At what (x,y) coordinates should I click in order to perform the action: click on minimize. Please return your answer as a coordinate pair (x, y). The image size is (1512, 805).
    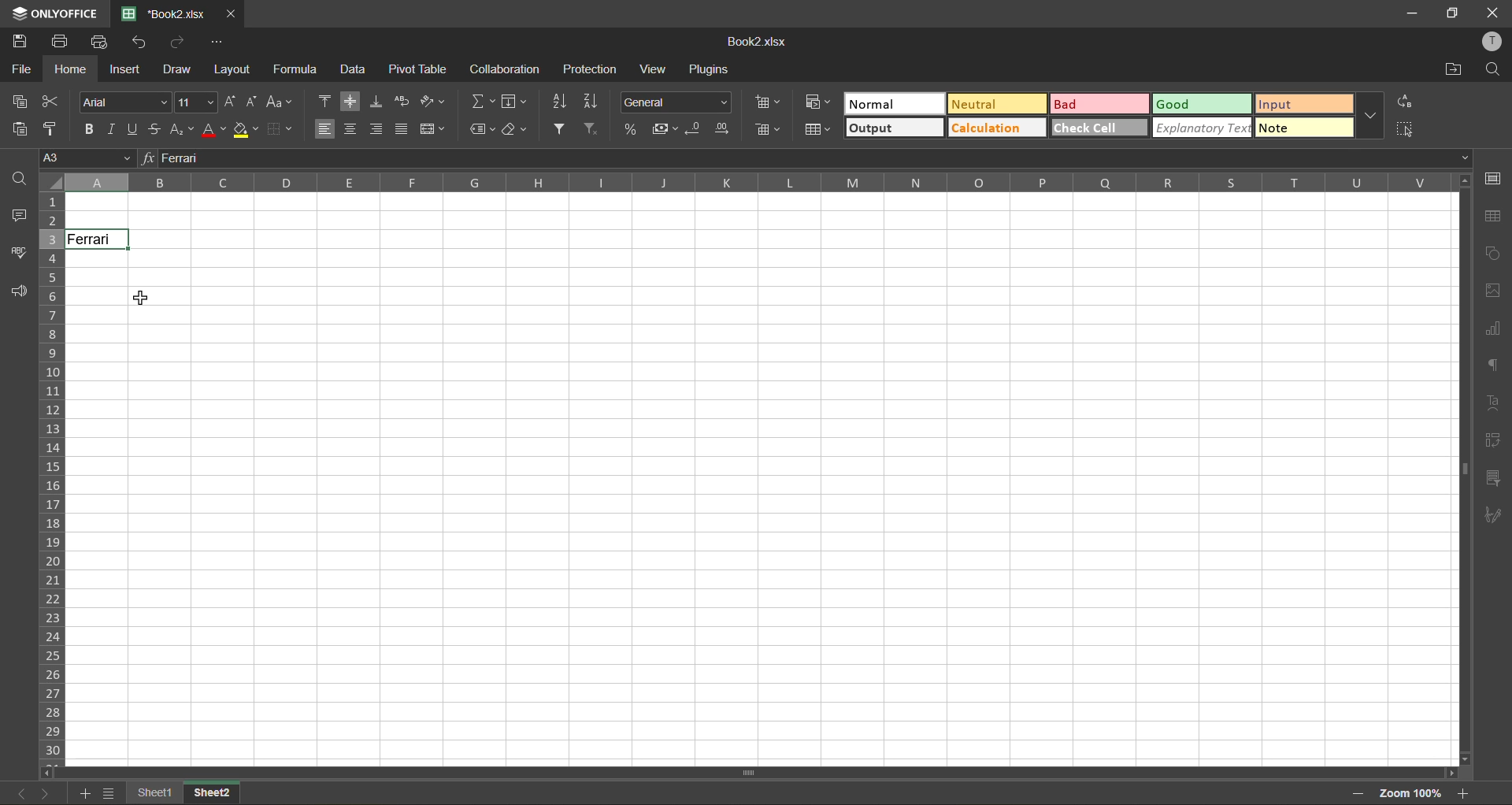
    Looking at the image, I should click on (1419, 14).